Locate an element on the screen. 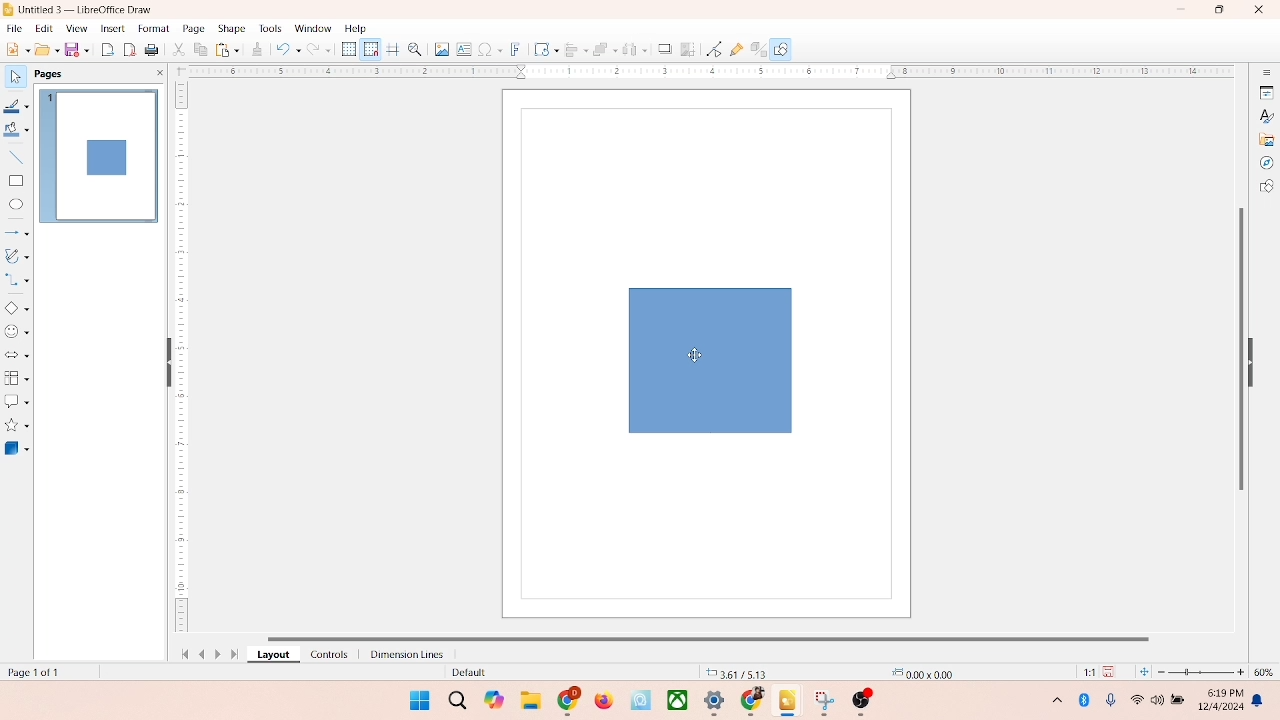 The image size is (1280, 720). notification is located at coordinates (1261, 701).